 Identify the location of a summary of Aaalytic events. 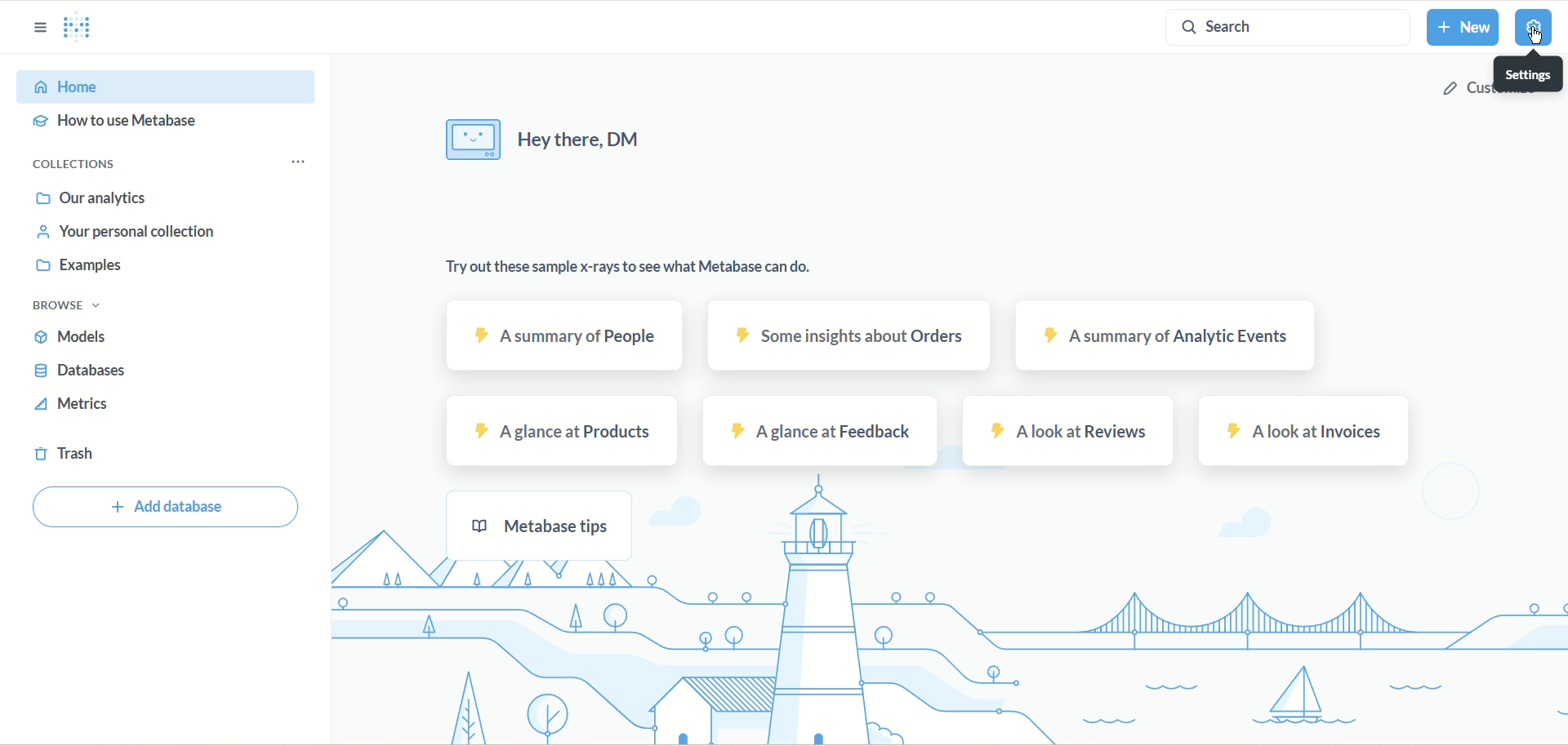
(1162, 336).